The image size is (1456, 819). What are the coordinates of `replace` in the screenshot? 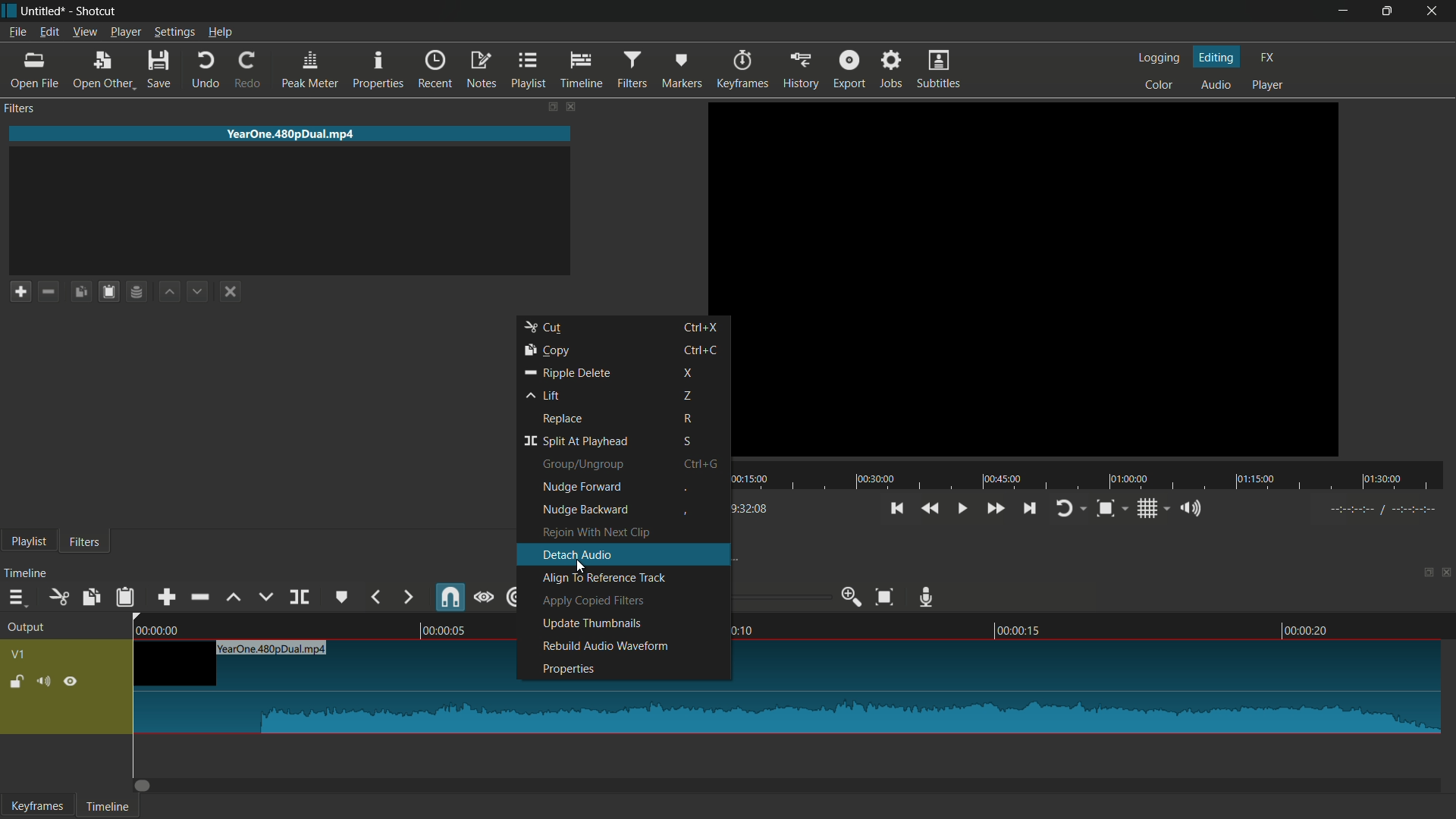 It's located at (565, 421).